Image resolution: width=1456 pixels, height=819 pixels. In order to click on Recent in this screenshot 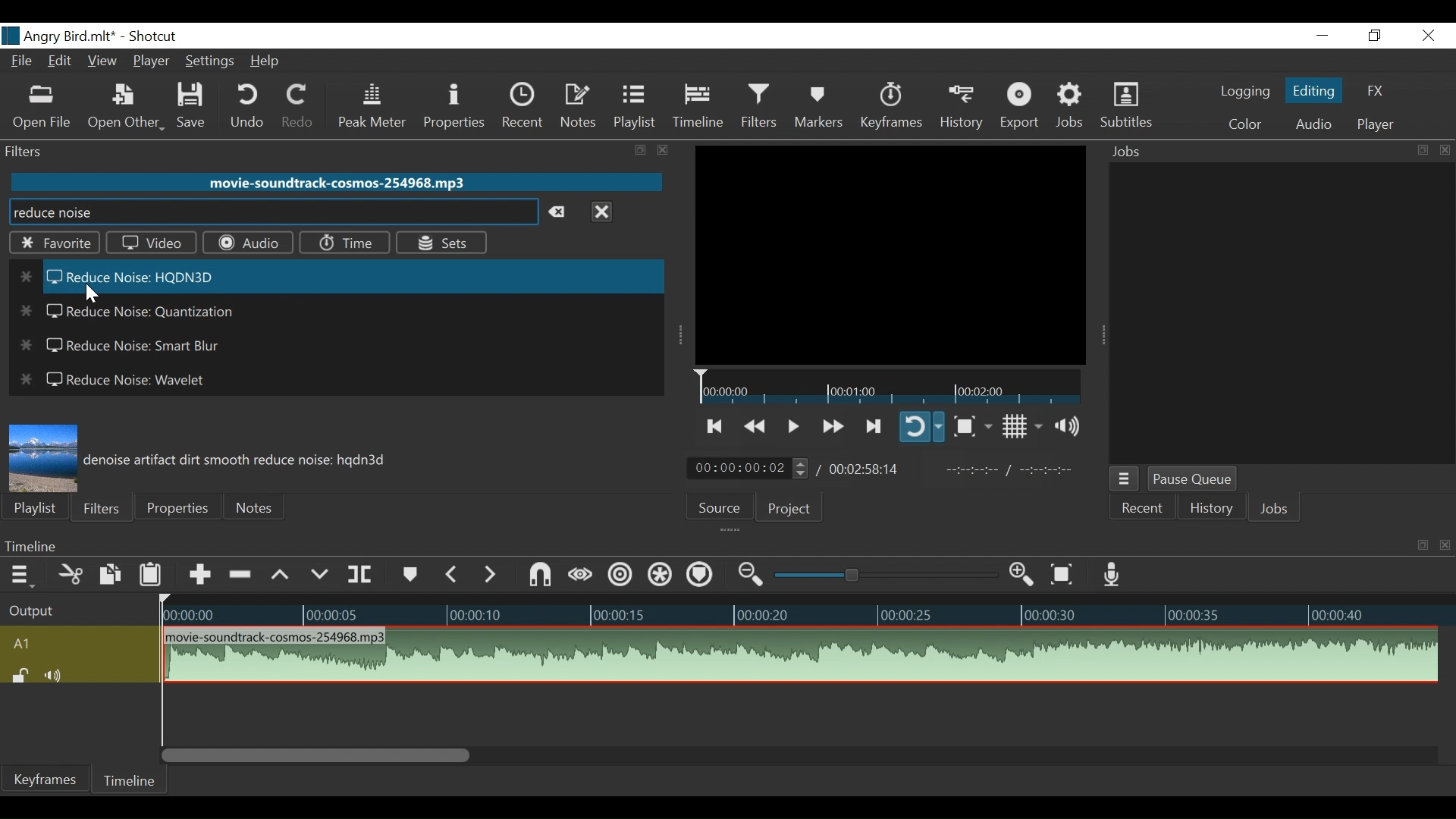, I will do `click(525, 105)`.